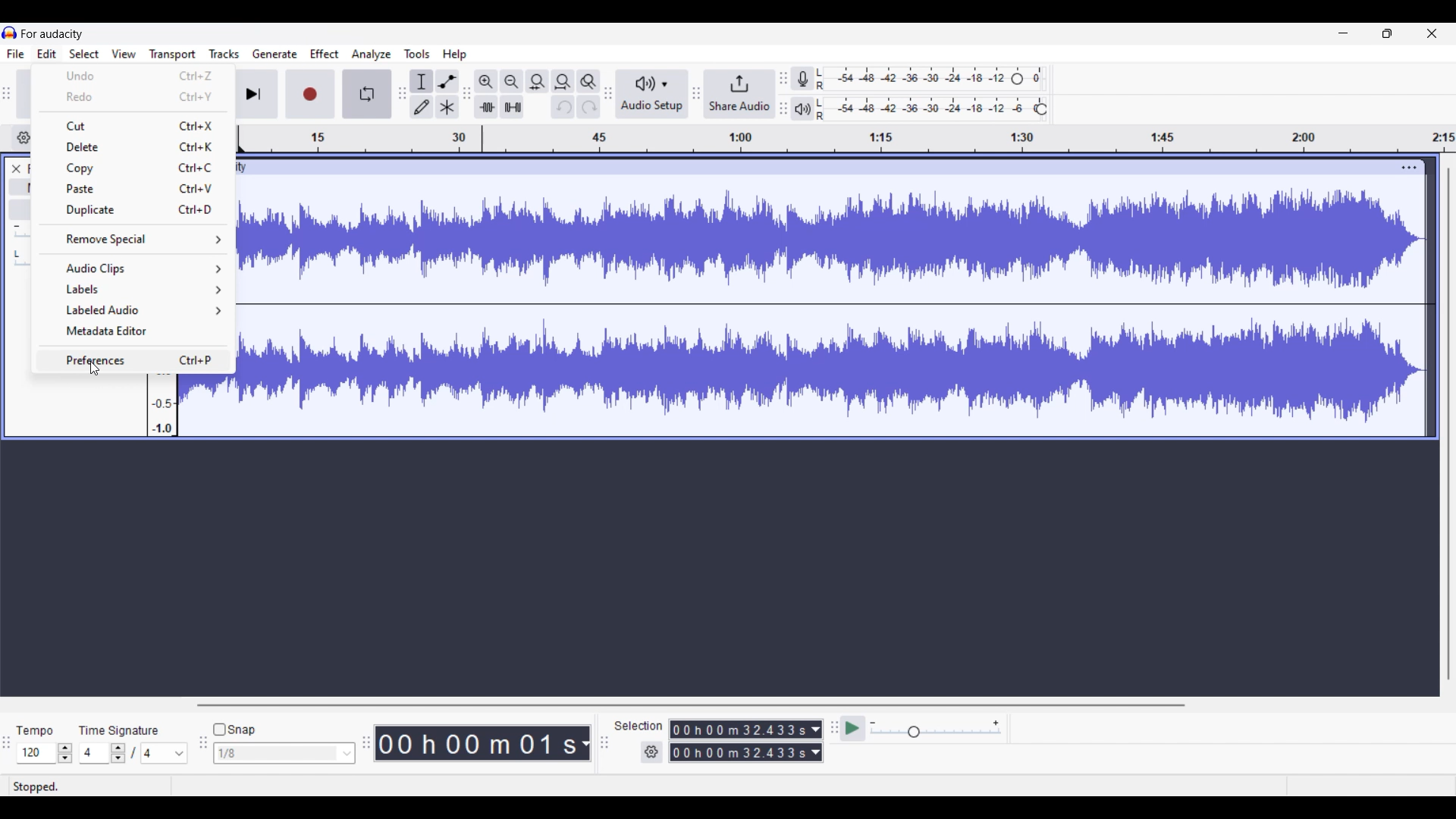 This screenshot has height=819, width=1456. I want to click on Redo, so click(588, 106).